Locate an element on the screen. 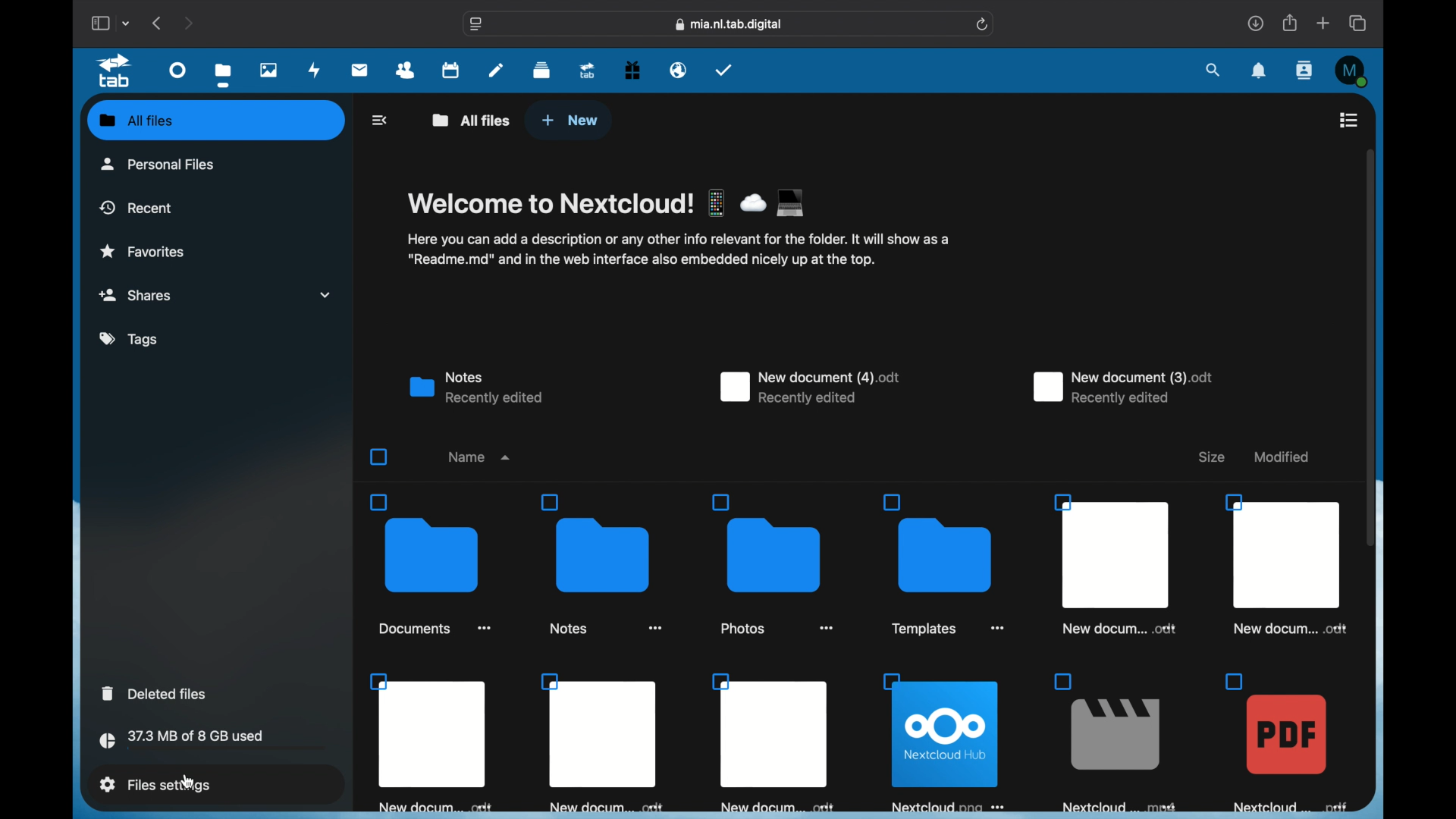 The width and height of the screenshot is (1456, 819). recent is located at coordinates (136, 207).